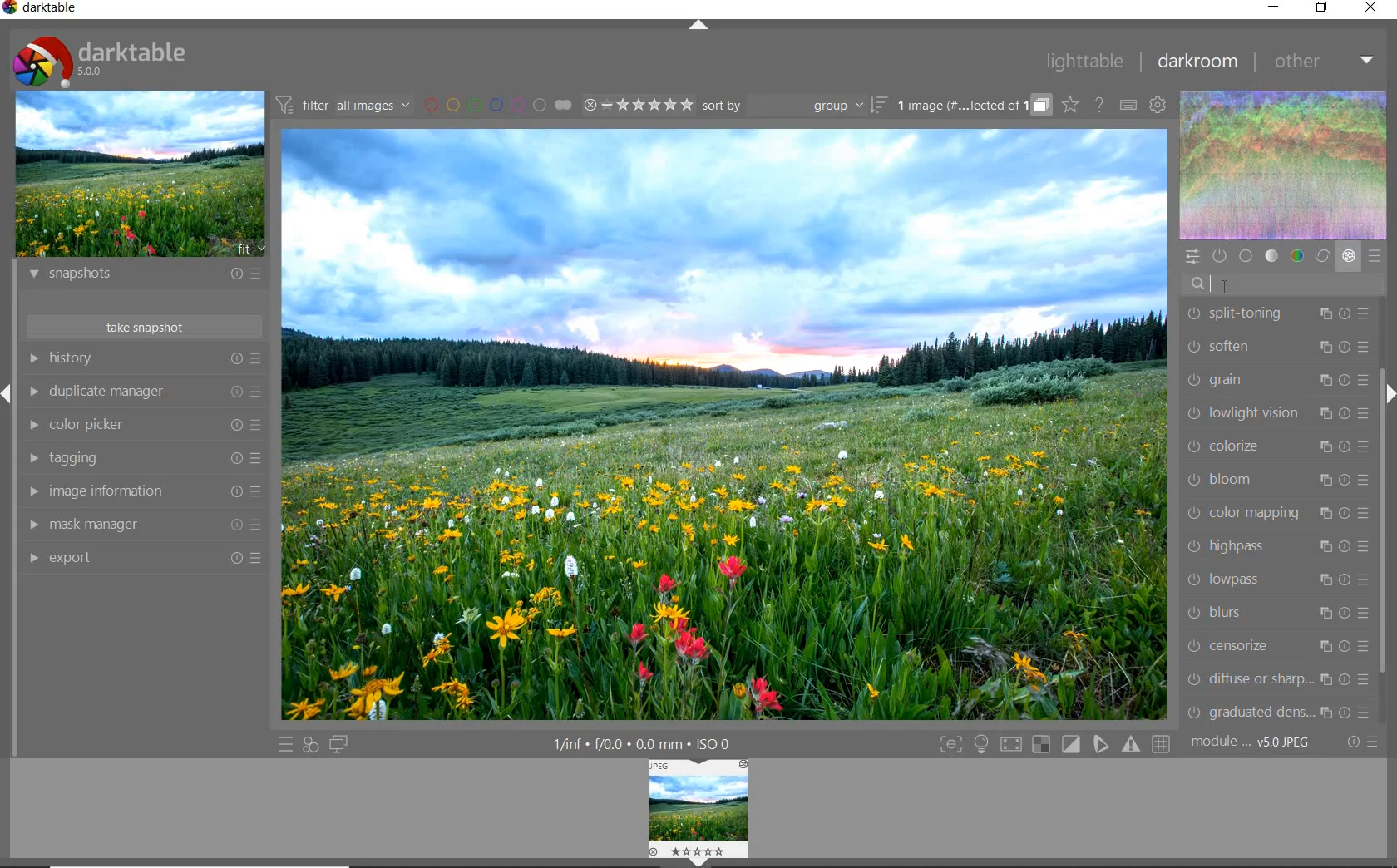  I want to click on history, so click(143, 358).